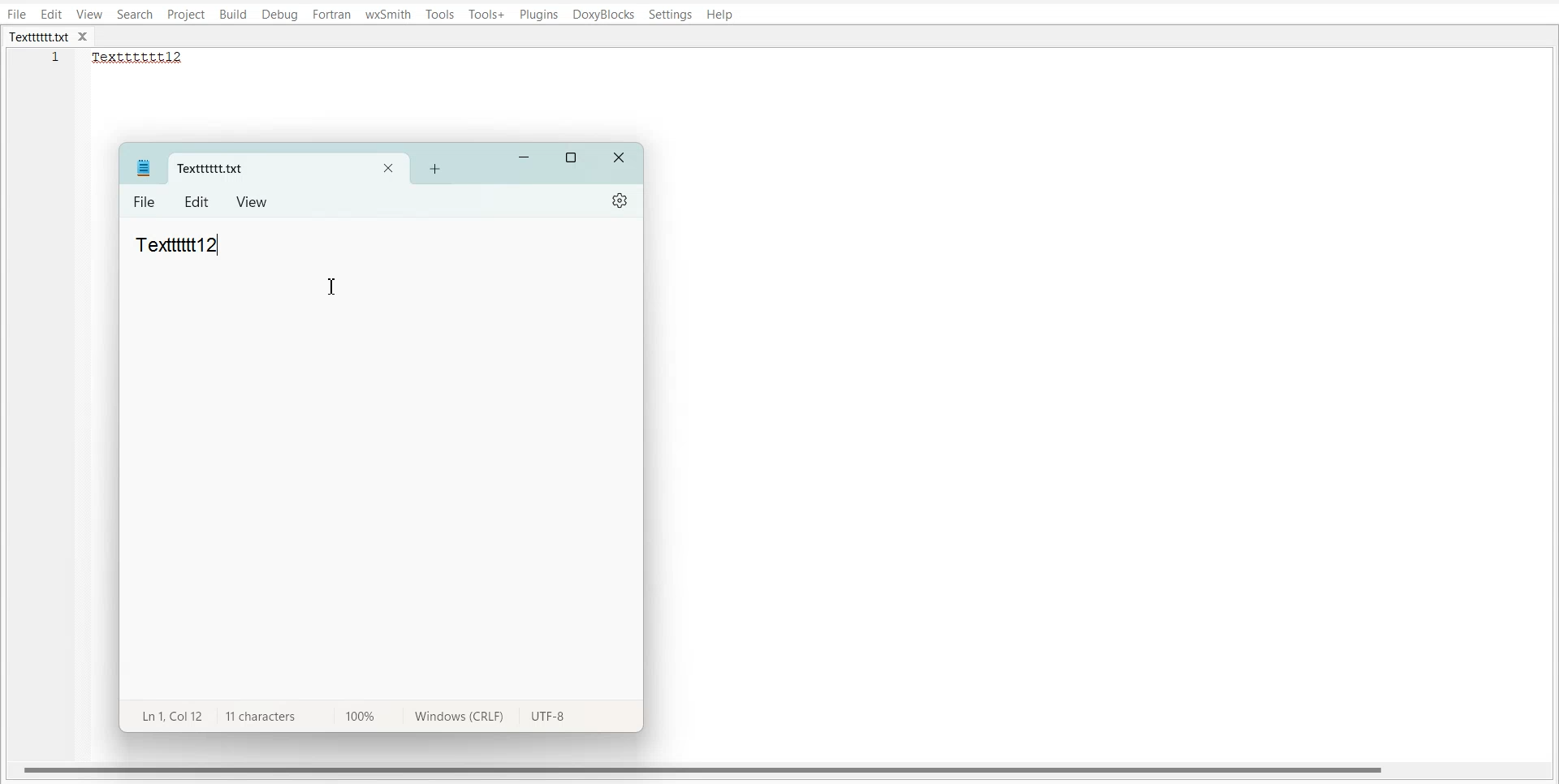 Image resolution: width=1559 pixels, height=784 pixels. I want to click on Minimize, so click(525, 158).